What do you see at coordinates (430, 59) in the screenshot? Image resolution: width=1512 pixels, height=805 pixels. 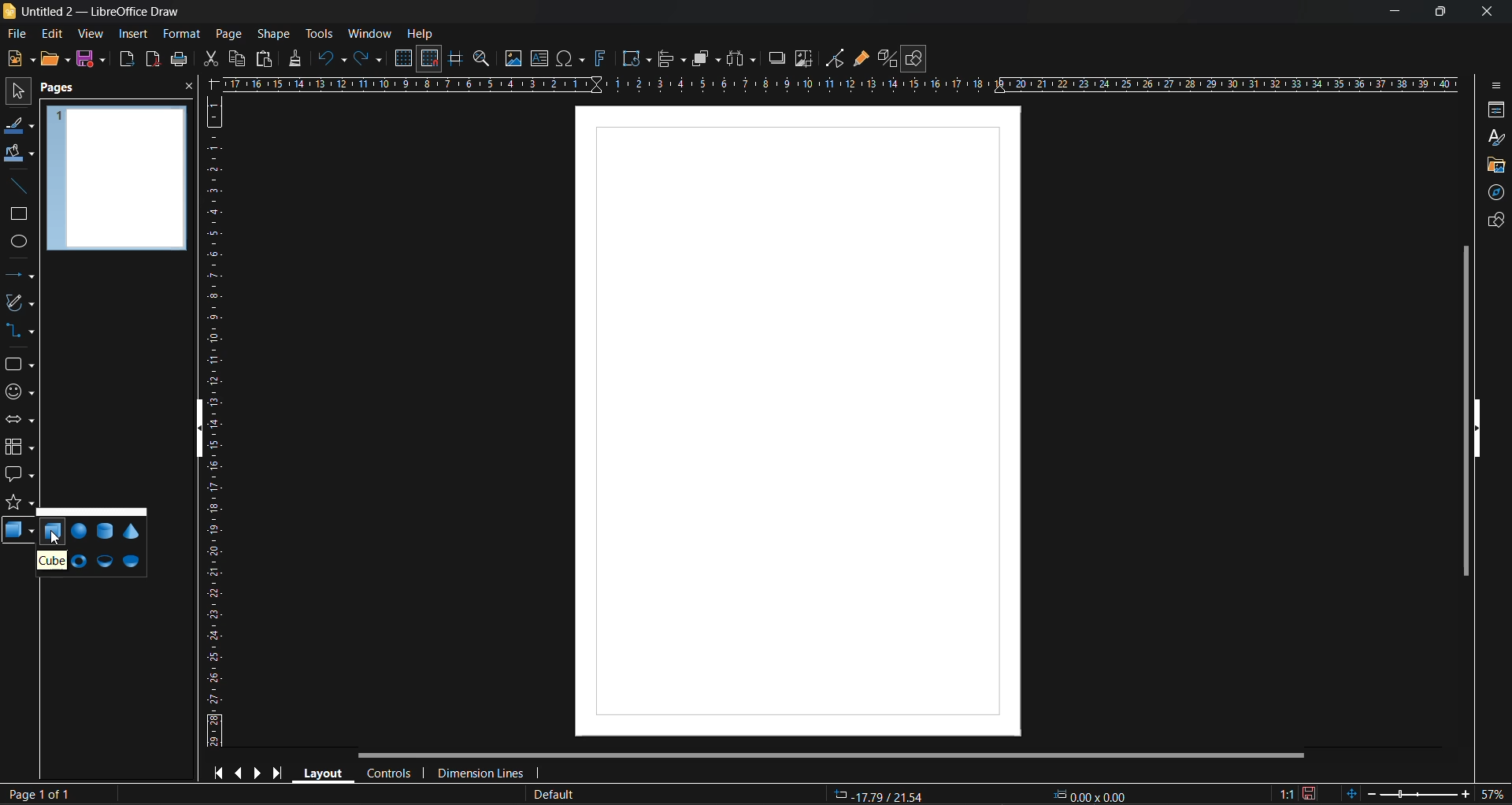 I see `snap to grid` at bounding box center [430, 59].